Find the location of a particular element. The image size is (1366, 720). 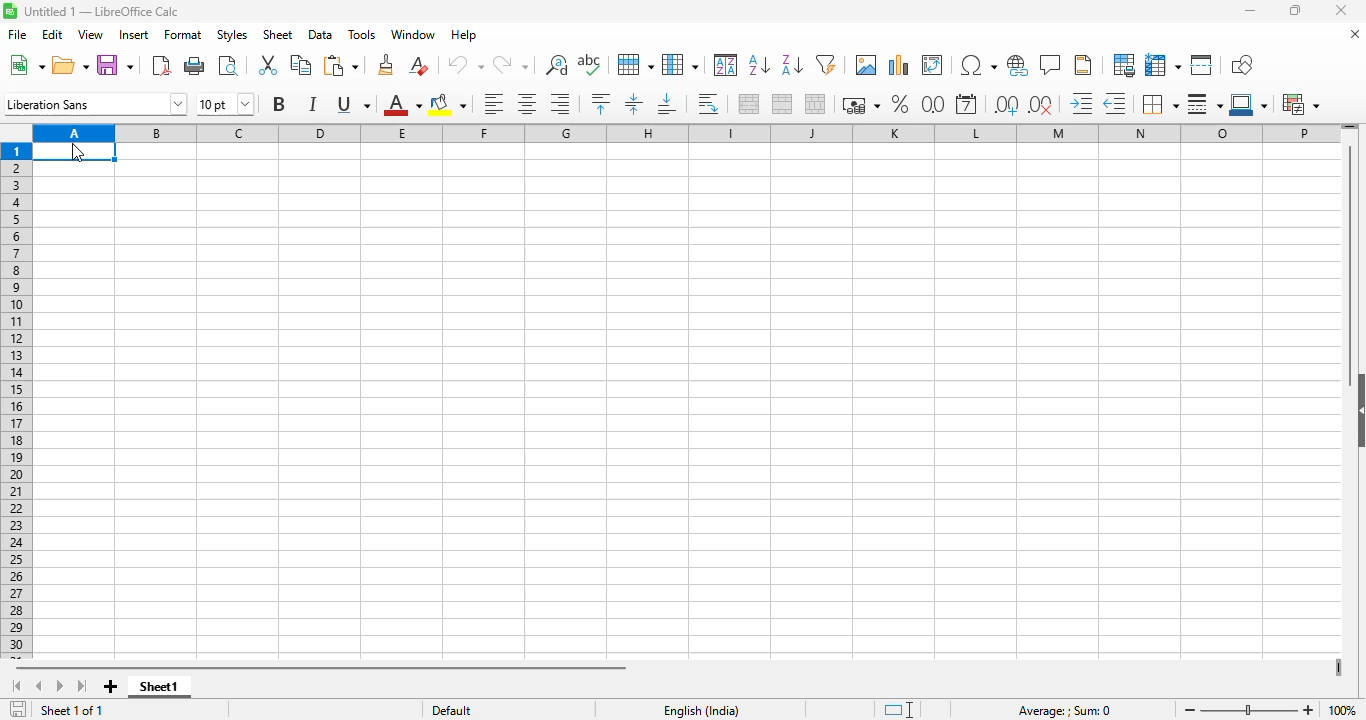

border style is located at coordinates (1205, 105).